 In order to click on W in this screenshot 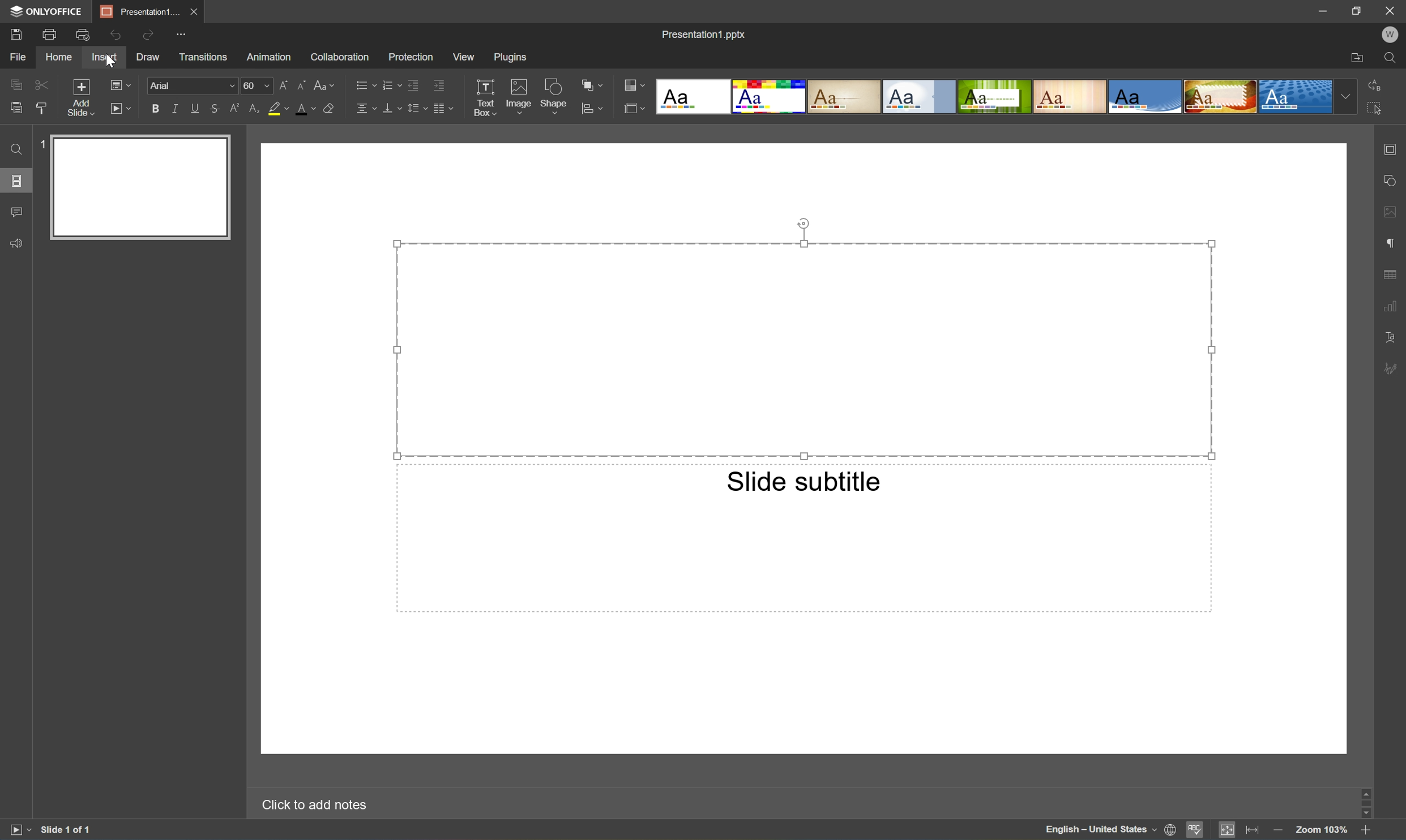, I will do `click(1393, 33)`.